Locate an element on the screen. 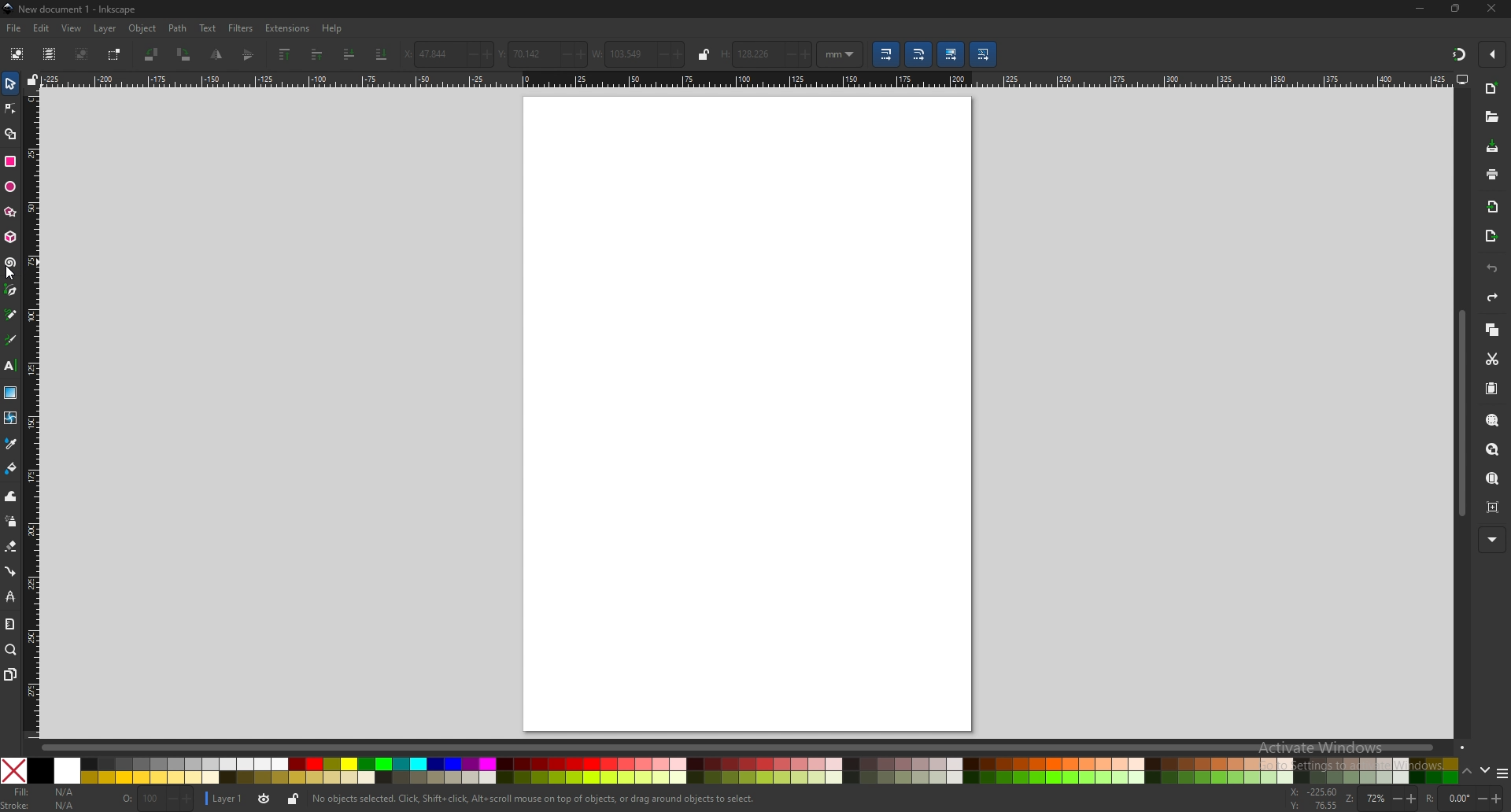  lower selection to bottom is located at coordinates (382, 53).